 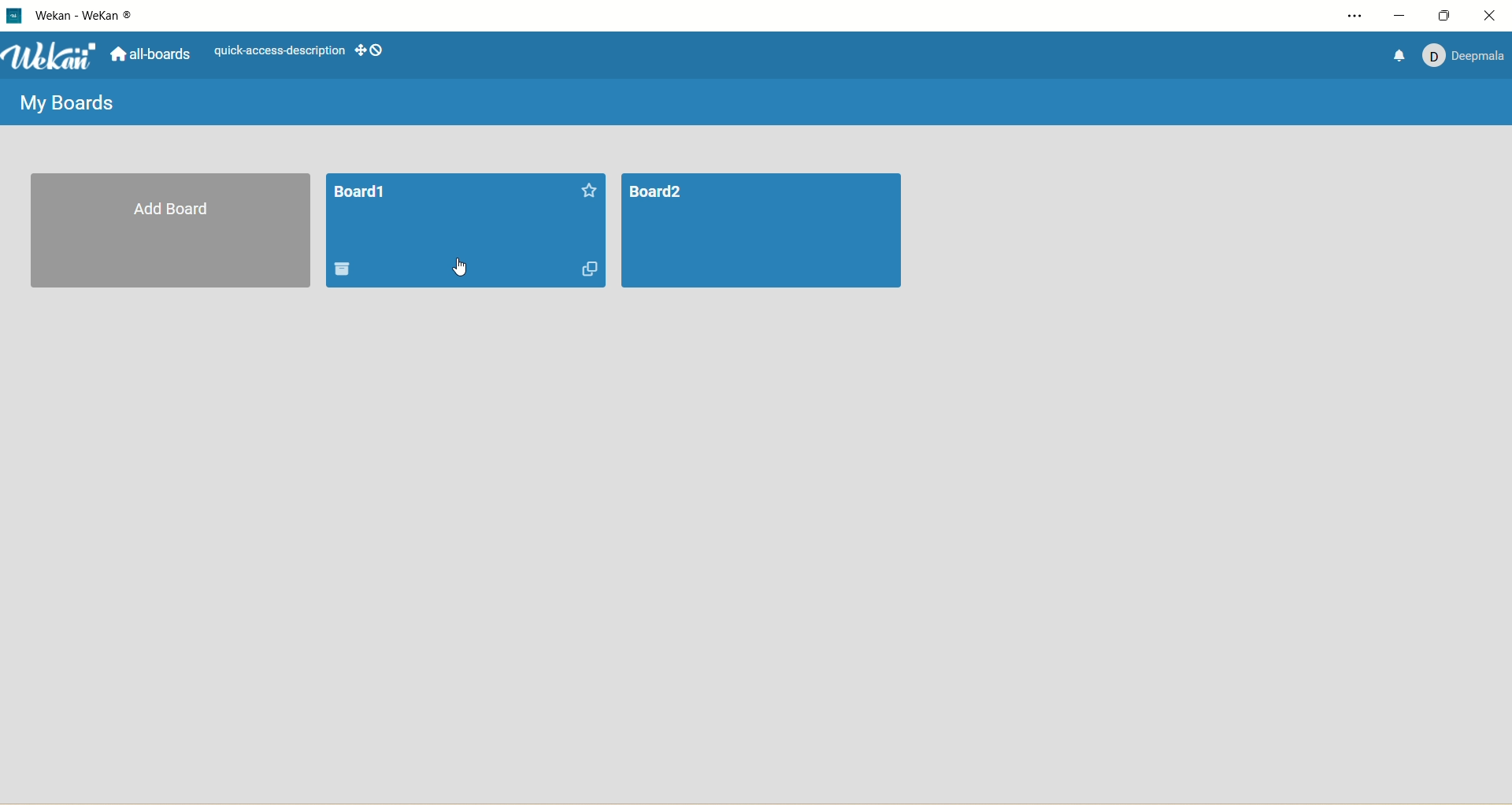 What do you see at coordinates (357, 48) in the screenshot?
I see `show-desktop-drag-handles` at bounding box center [357, 48].